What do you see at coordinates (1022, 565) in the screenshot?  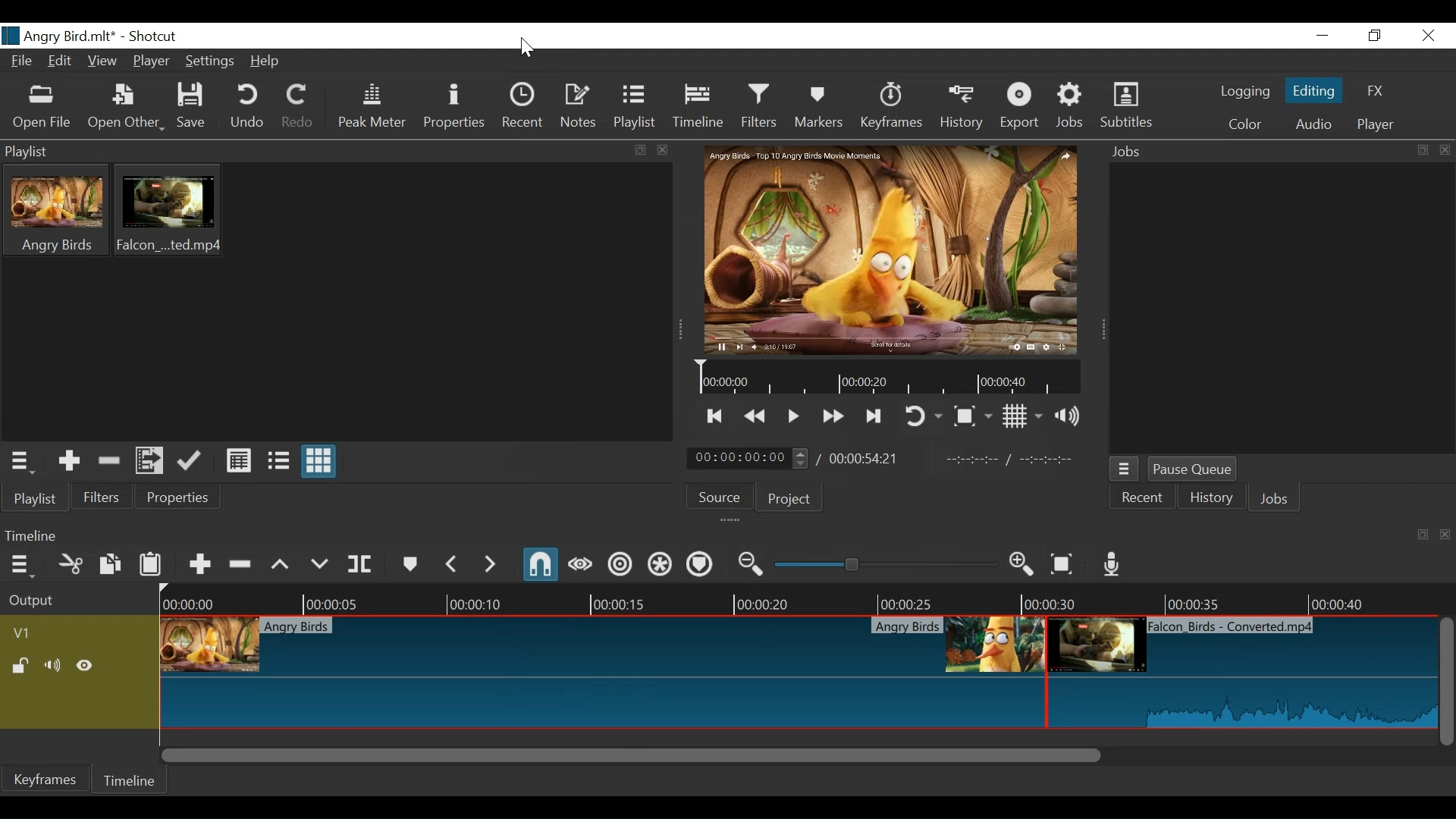 I see `Zoom timeline in` at bounding box center [1022, 565].